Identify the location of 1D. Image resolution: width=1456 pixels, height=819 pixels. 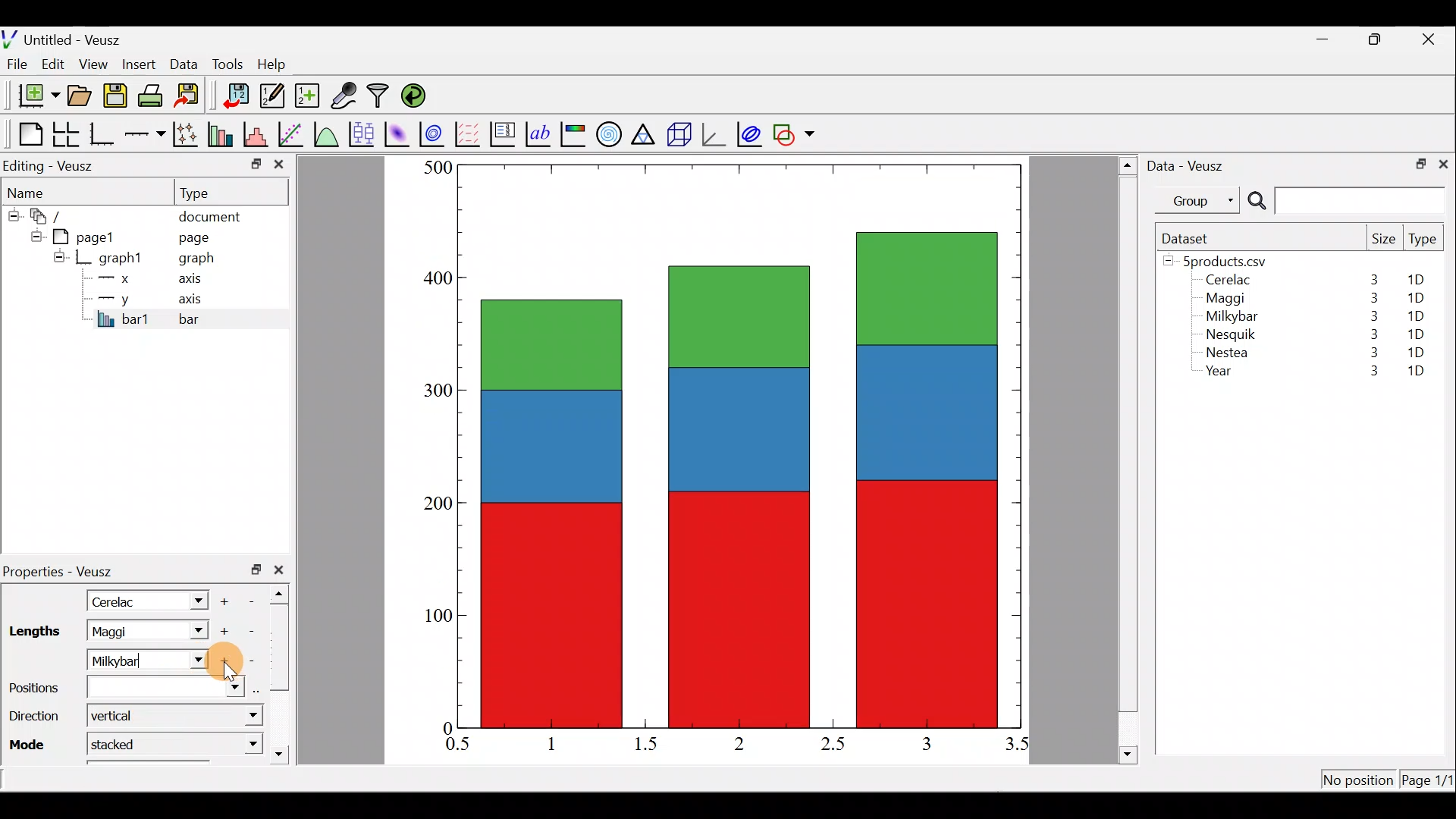
(1416, 352).